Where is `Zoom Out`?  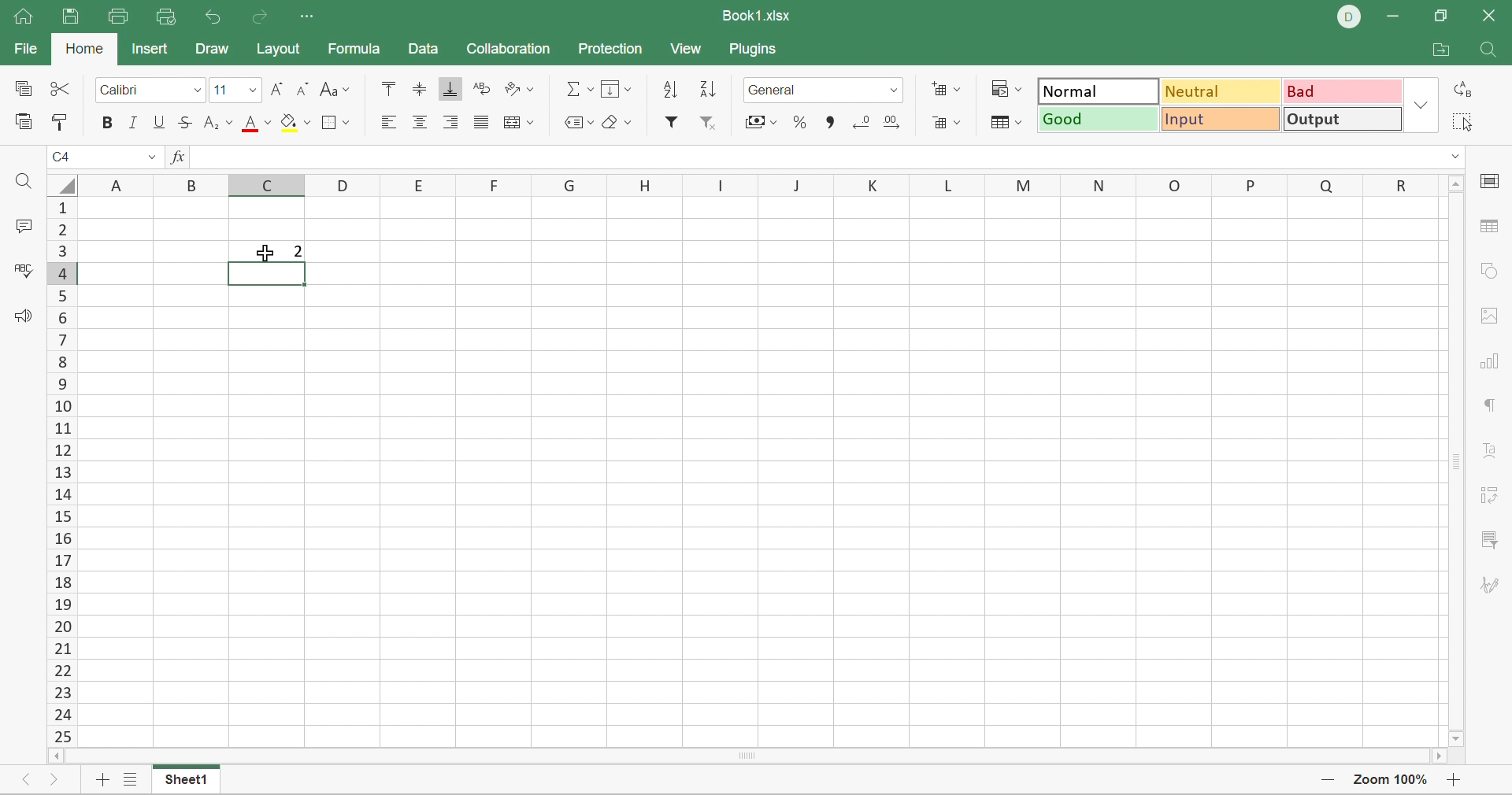 Zoom Out is located at coordinates (1329, 780).